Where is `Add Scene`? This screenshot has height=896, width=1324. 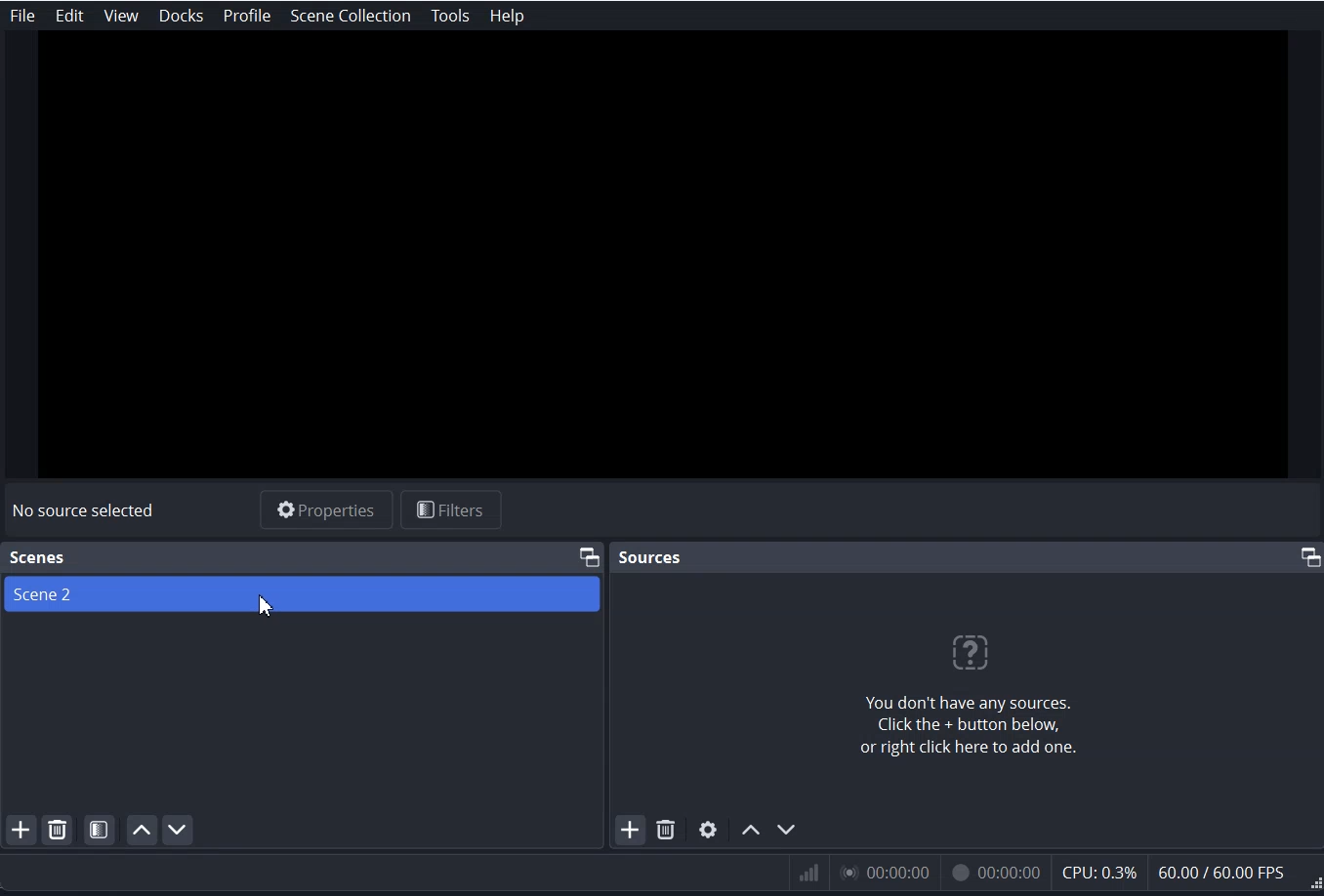 Add Scene is located at coordinates (19, 831).